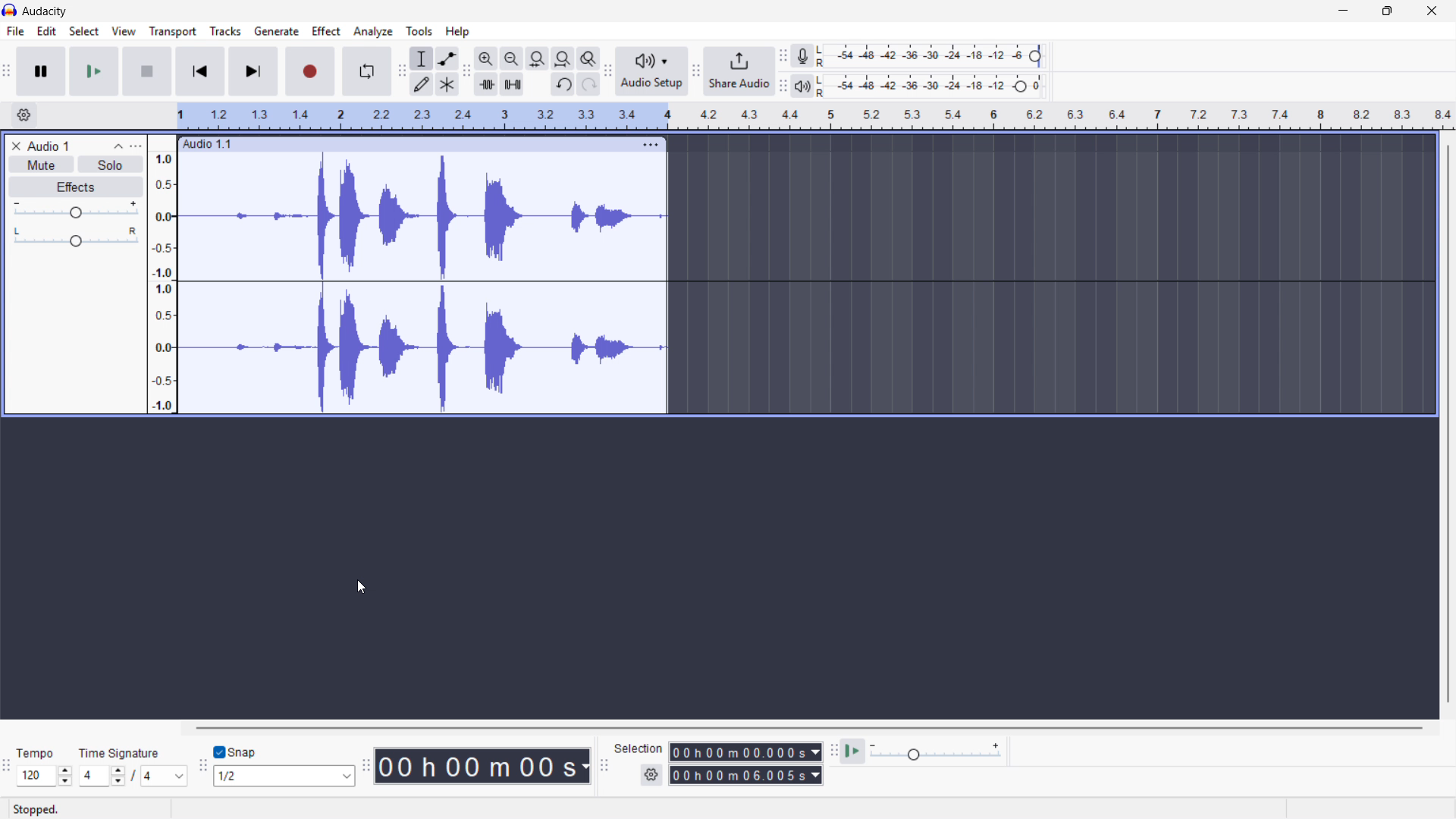 Image resolution: width=1456 pixels, height=819 pixels. Describe the element at coordinates (512, 58) in the screenshot. I see `Zoom out` at that location.